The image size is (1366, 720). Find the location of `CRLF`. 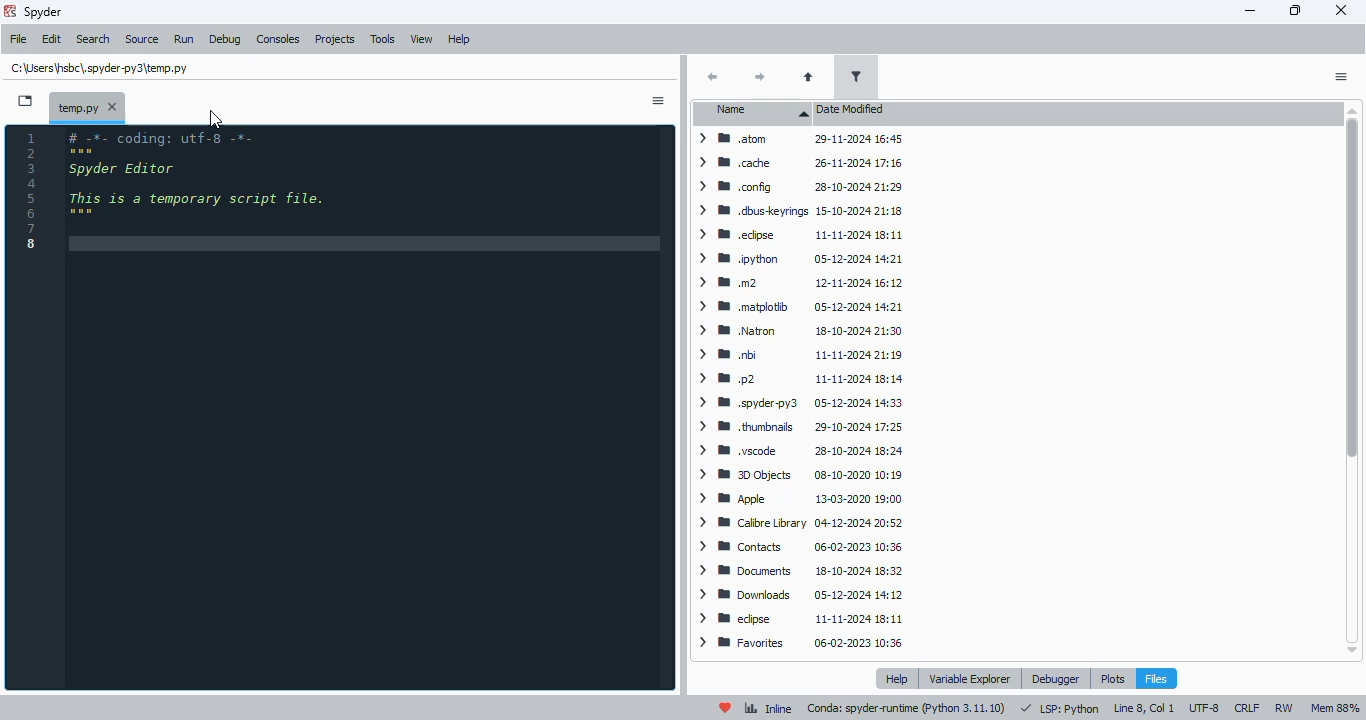

CRLF is located at coordinates (1247, 706).